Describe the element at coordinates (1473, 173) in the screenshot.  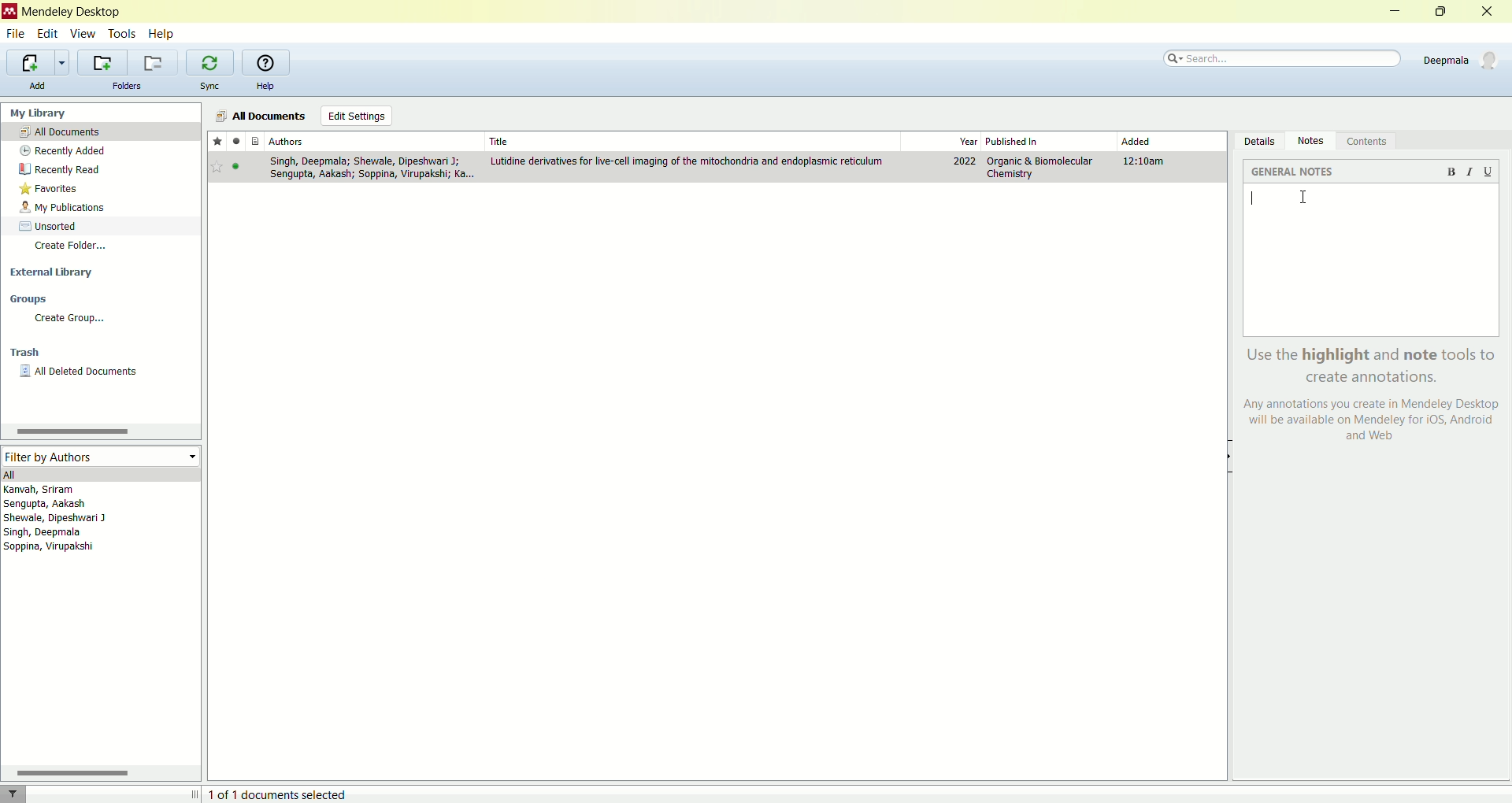
I see `italics` at that location.